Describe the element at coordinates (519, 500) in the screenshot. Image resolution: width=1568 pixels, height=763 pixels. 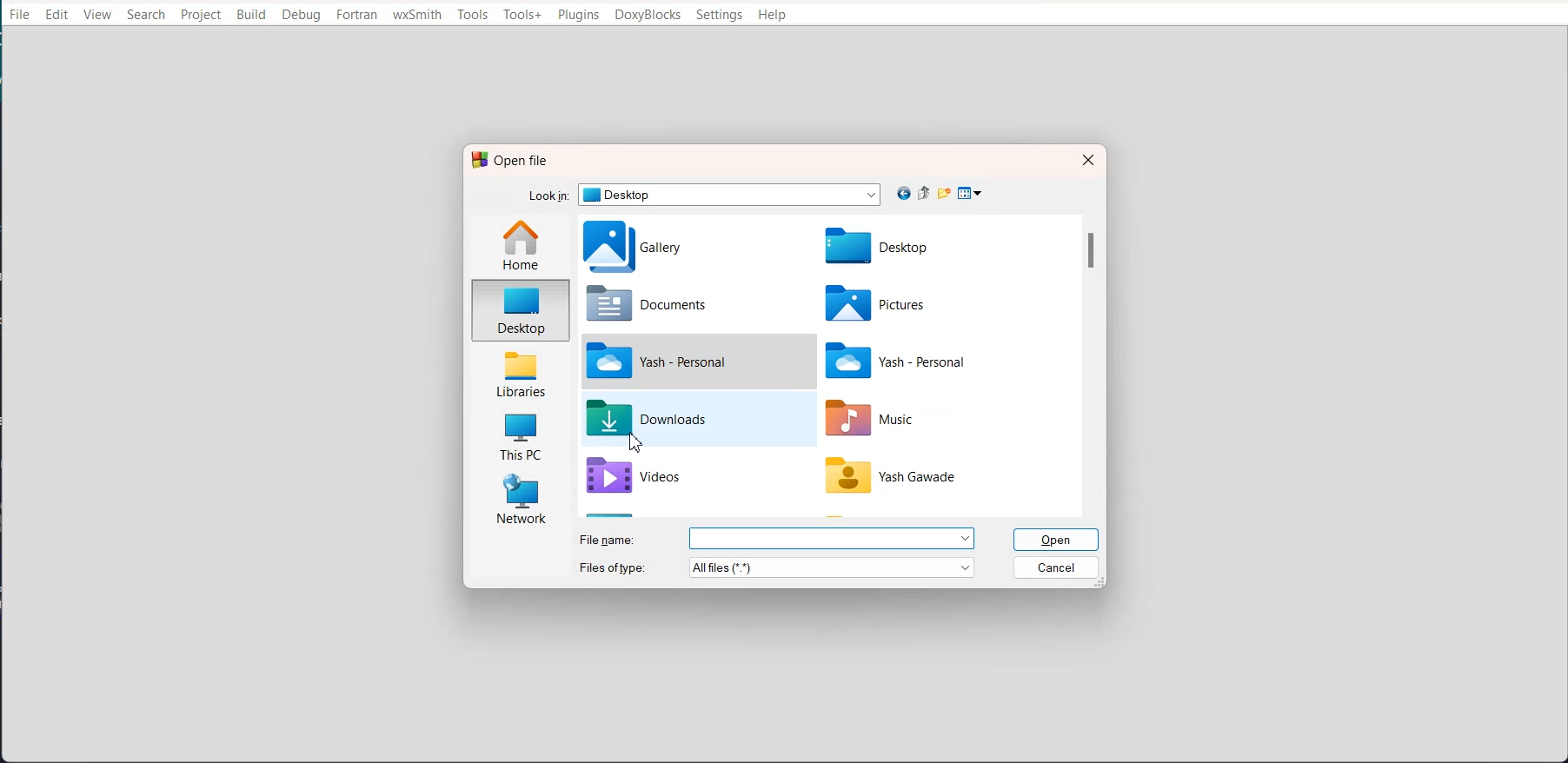
I see `Network` at that location.